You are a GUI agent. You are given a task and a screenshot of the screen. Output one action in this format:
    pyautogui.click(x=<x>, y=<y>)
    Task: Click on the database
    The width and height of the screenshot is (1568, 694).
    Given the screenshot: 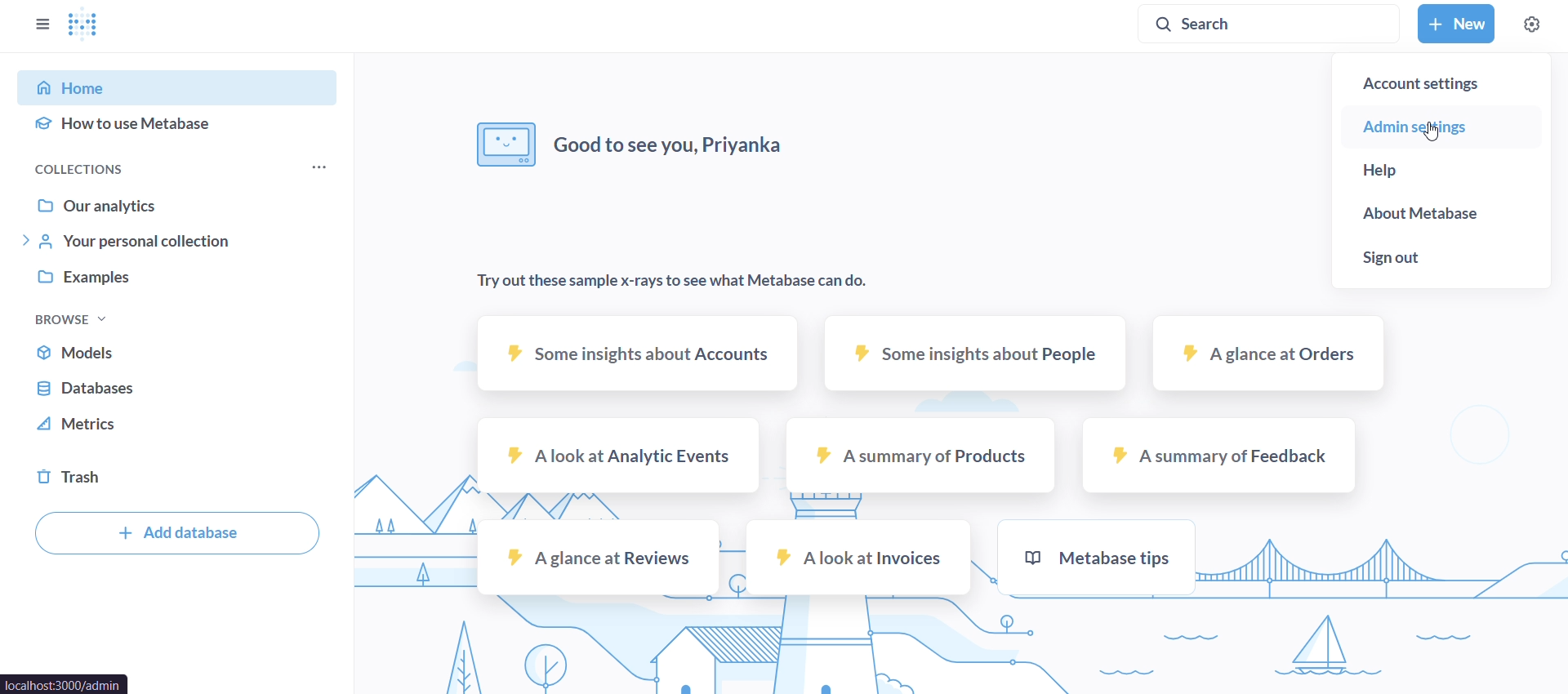 What is the action you would take?
    pyautogui.click(x=176, y=389)
    